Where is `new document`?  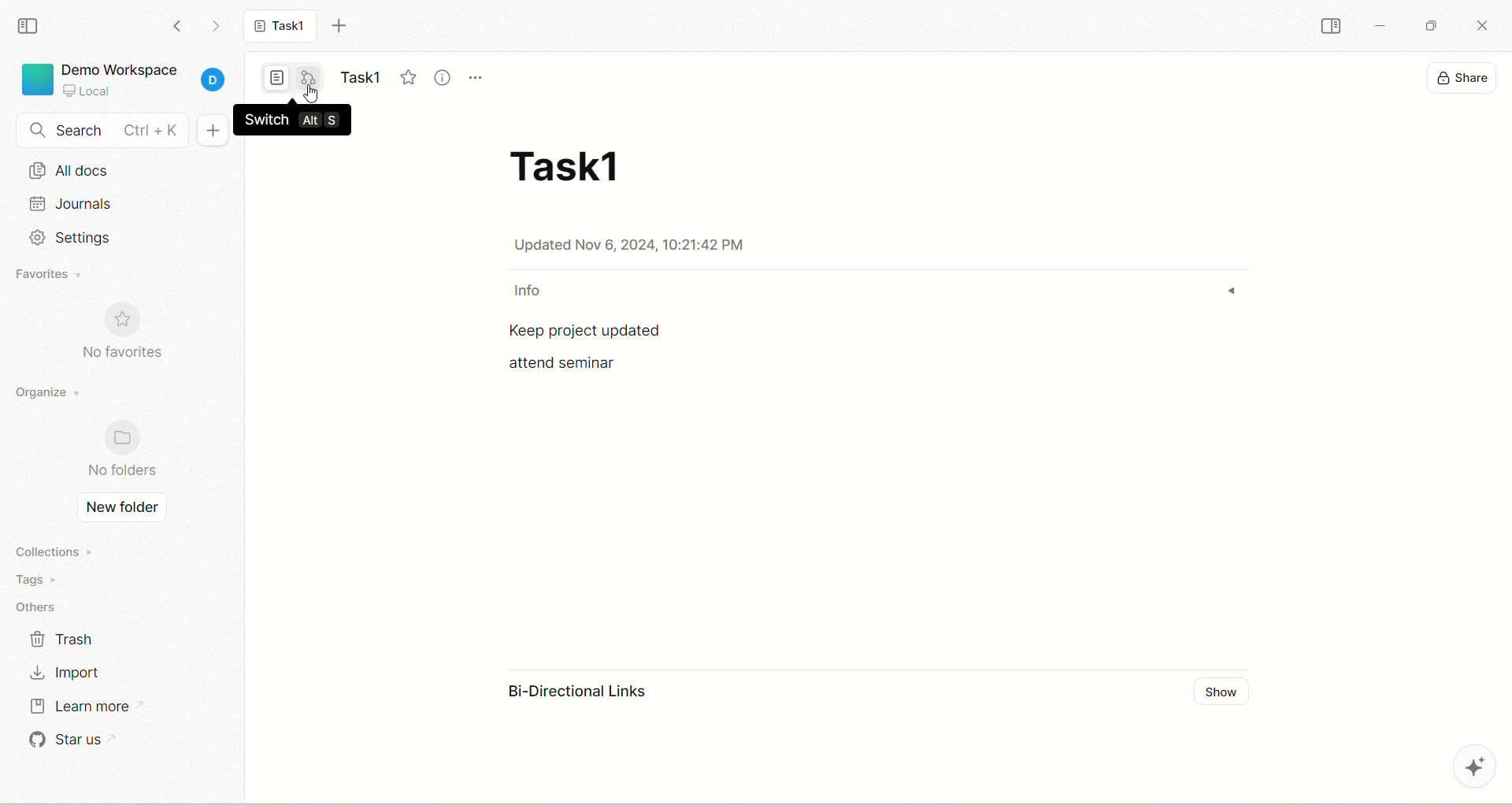
new document is located at coordinates (213, 132).